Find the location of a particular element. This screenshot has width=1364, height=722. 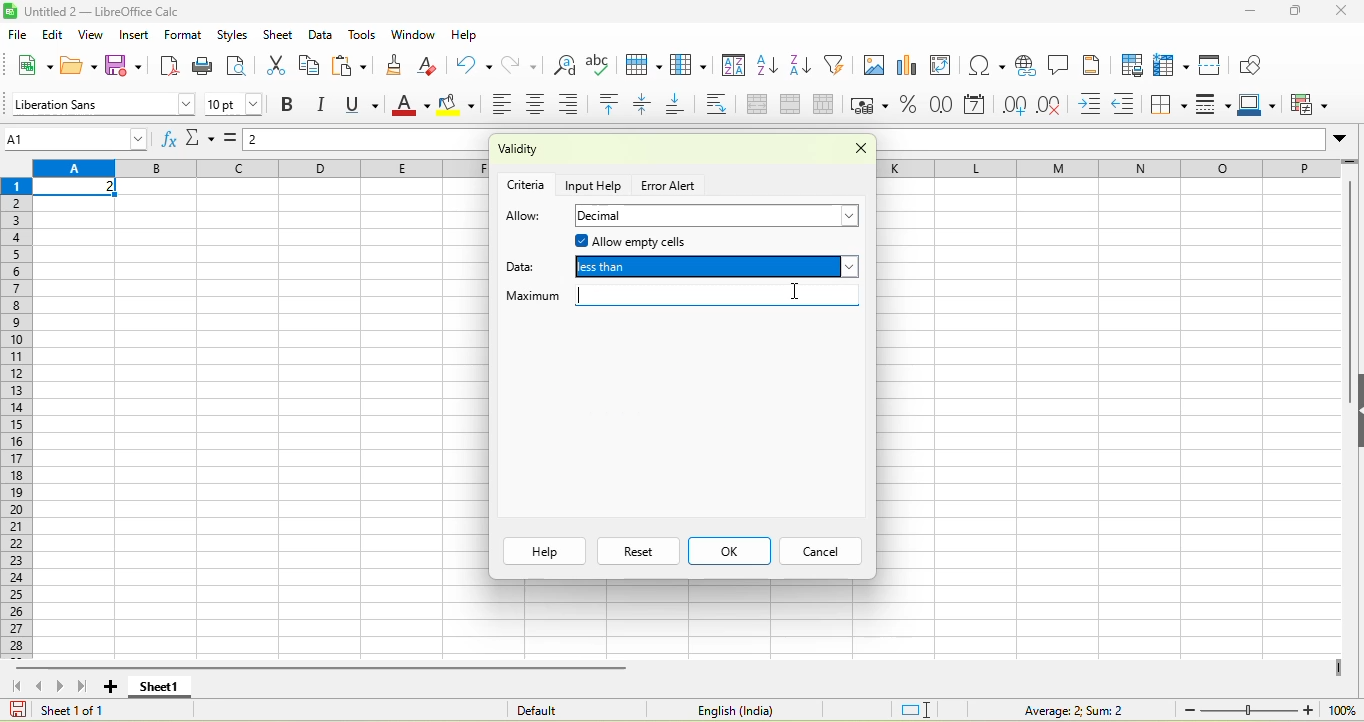

headers and footers is located at coordinates (1093, 64).